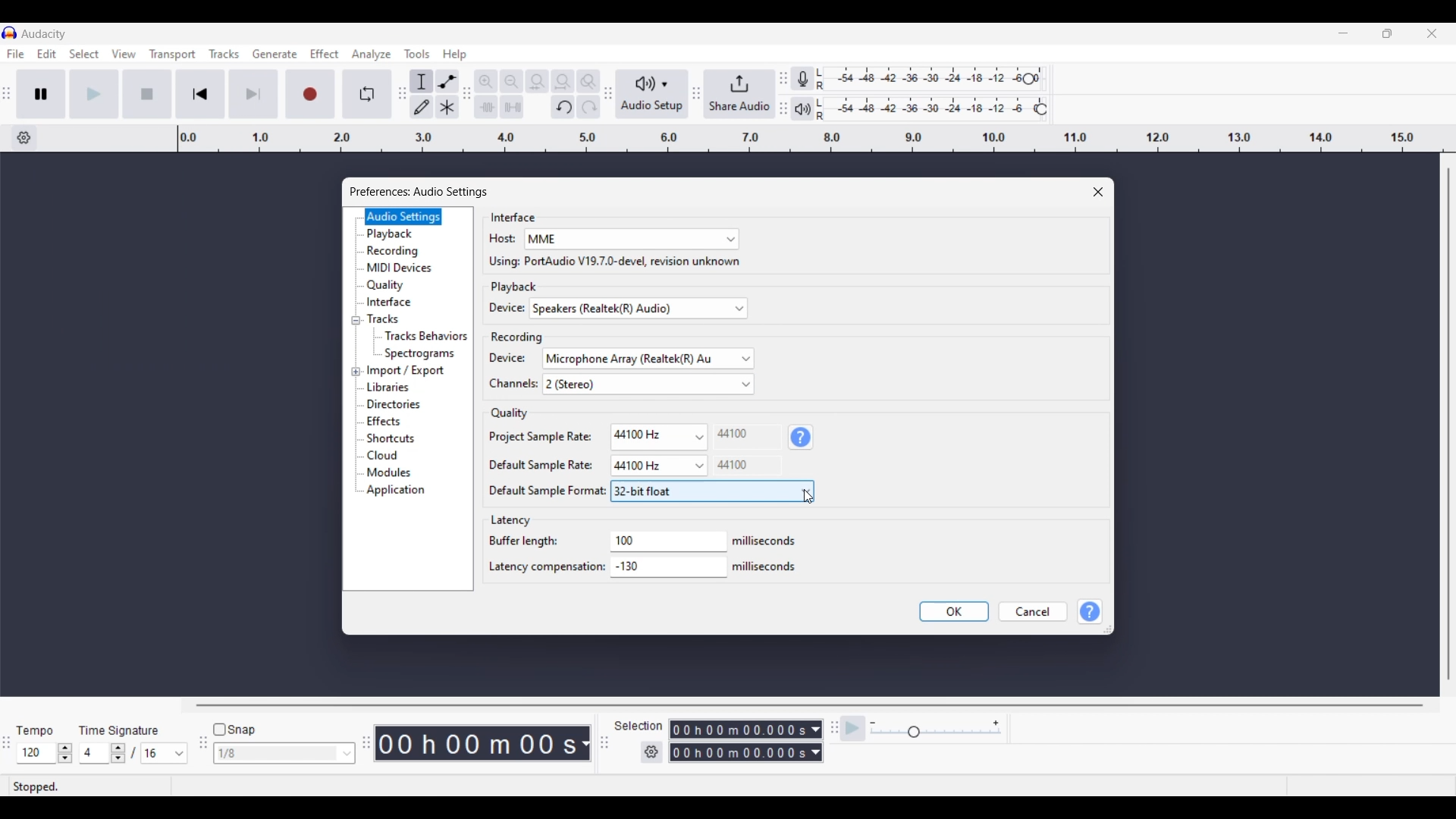  What do you see at coordinates (711, 491) in the screenshot?
I see `Default sample format options` at bounding box center [711, 491].